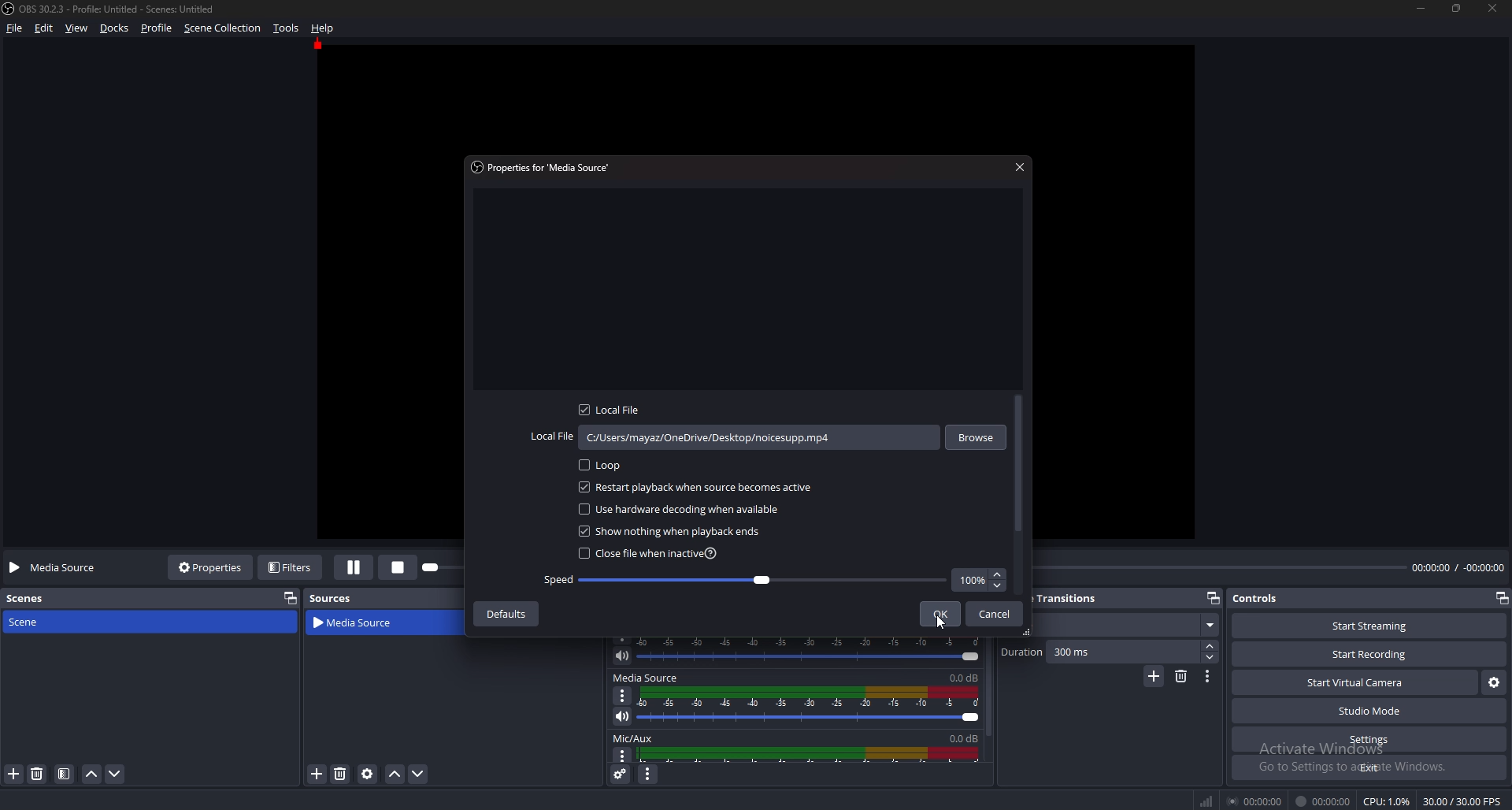 Image resolution: width=1512 pixels, height=810 pixels. What do you see at coordinates (9, 9) in the screenshot?
I see `OBS LOGO` at bounding box center [9, 9].